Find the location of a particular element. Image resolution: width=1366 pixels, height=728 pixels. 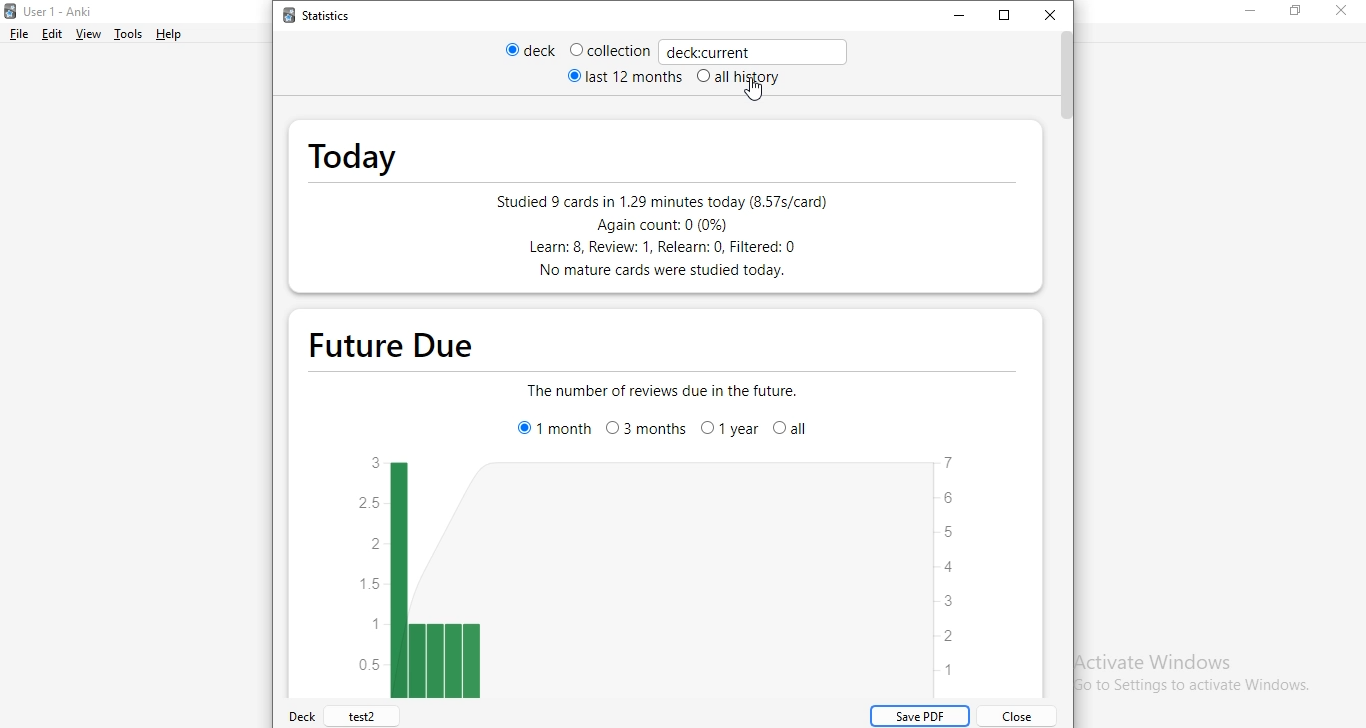

help is located at coordinates (179, 34).